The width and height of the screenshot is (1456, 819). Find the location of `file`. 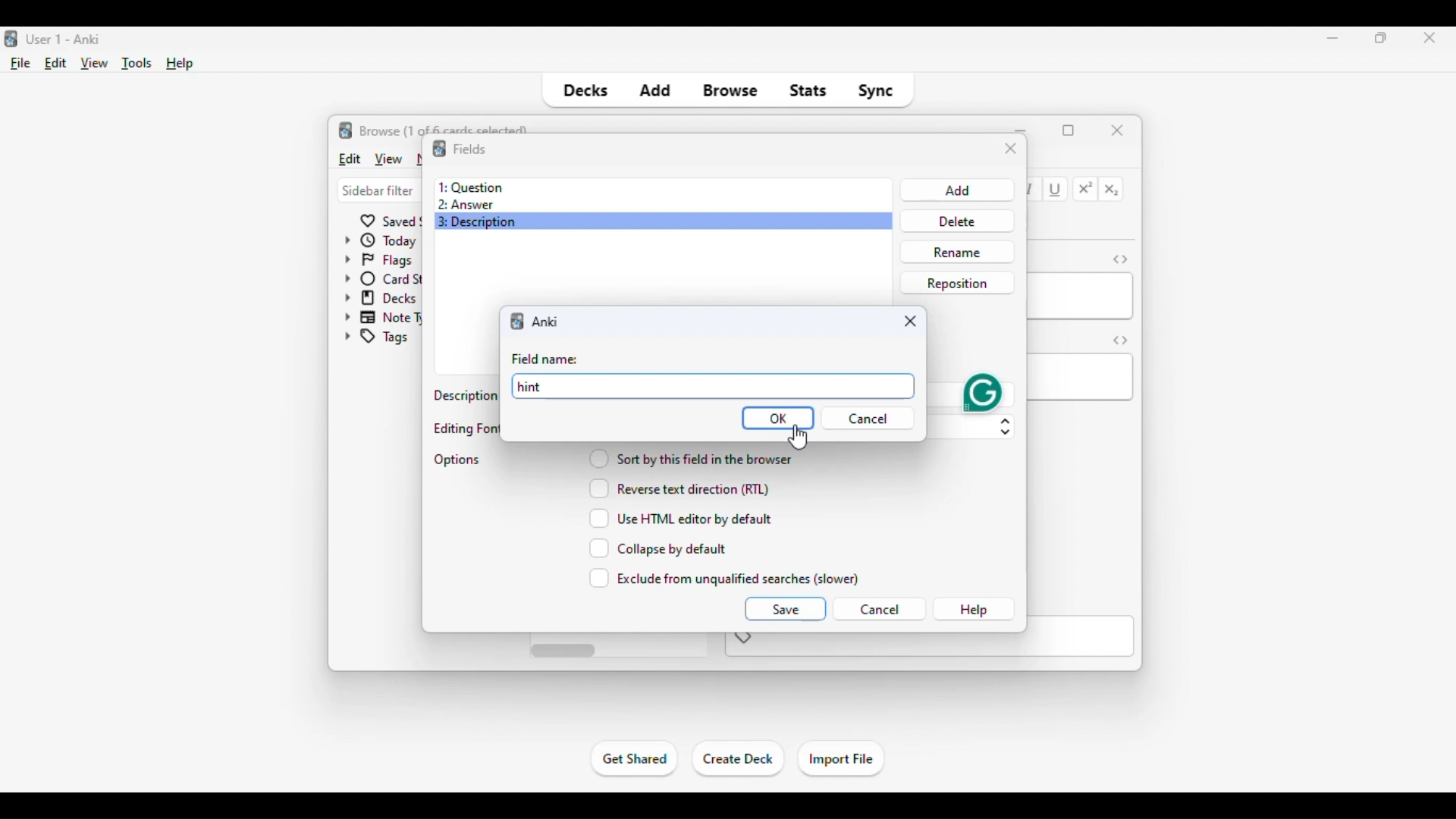

file is located at coordinates (21, 64).